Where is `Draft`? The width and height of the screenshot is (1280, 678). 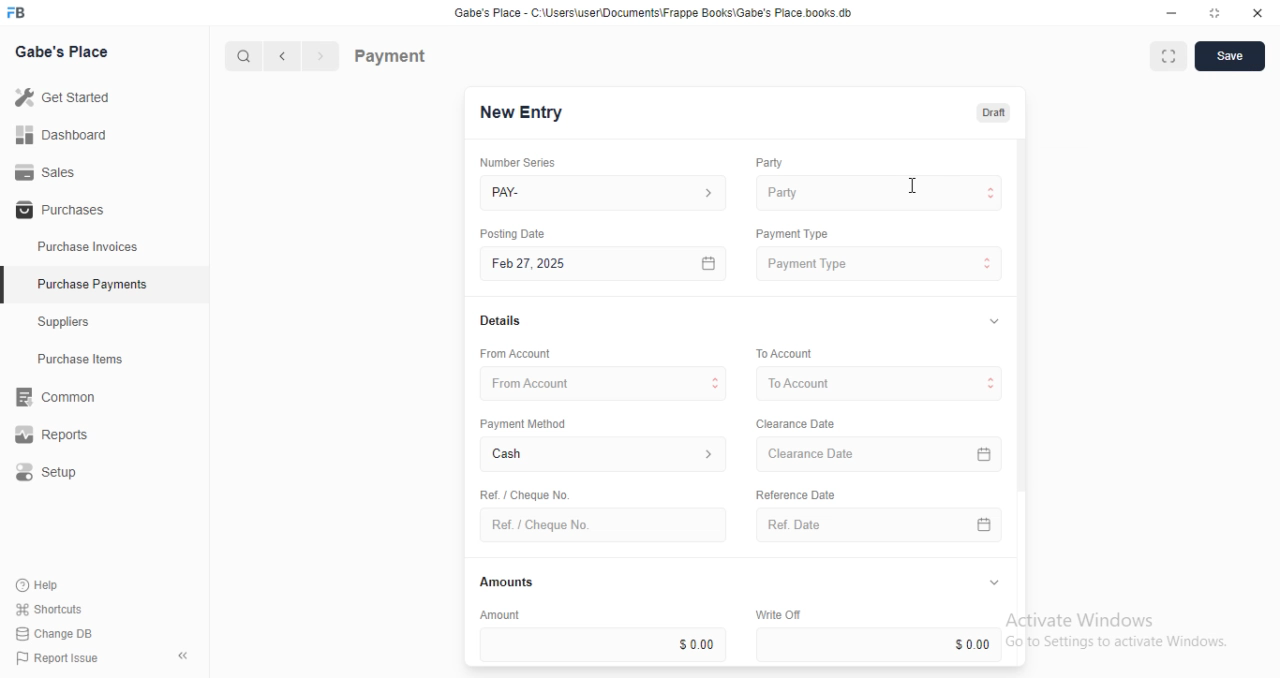
Draft is located at coordinates (990, 111).